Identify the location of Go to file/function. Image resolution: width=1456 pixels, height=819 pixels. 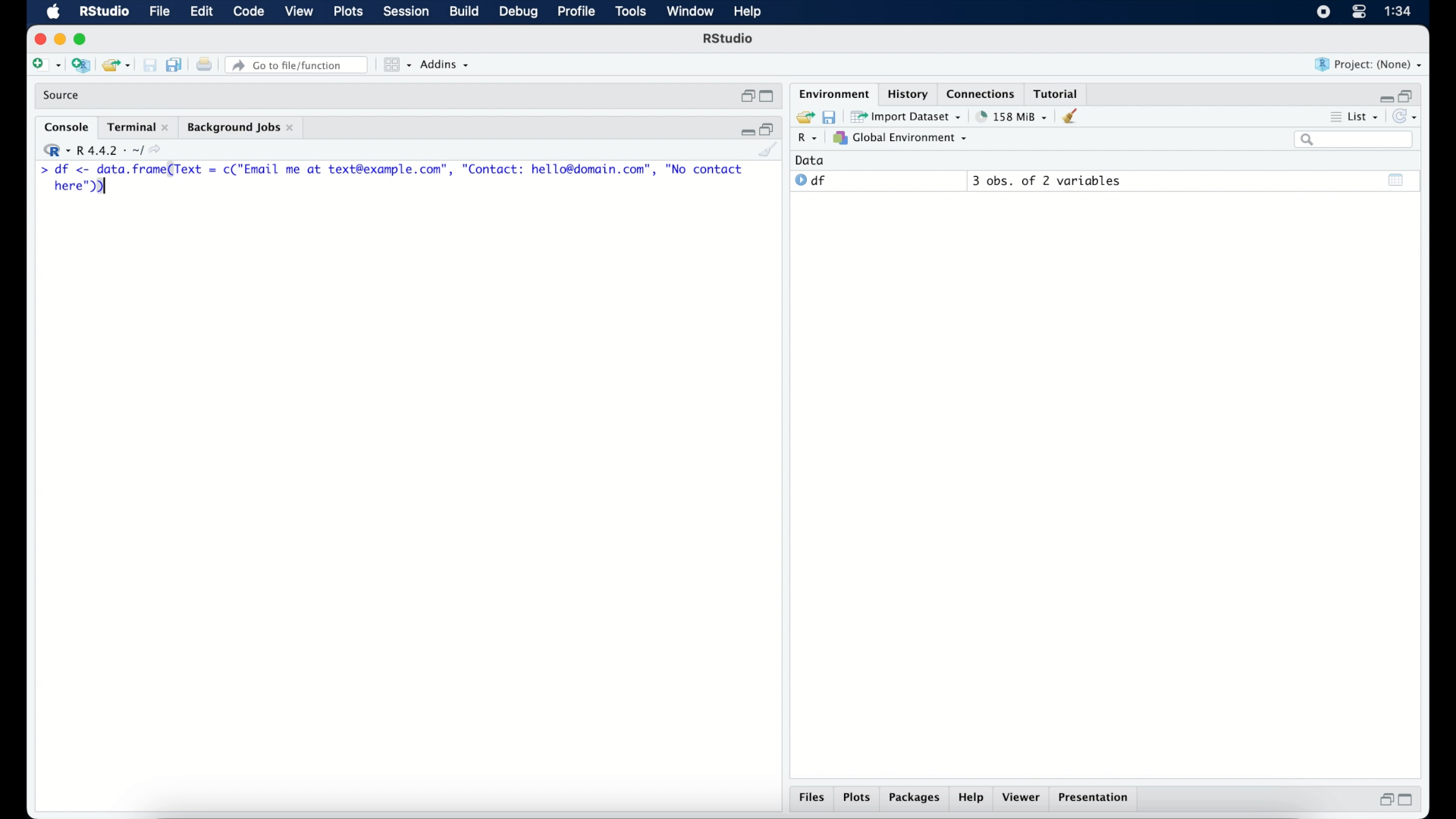
(297, 64).